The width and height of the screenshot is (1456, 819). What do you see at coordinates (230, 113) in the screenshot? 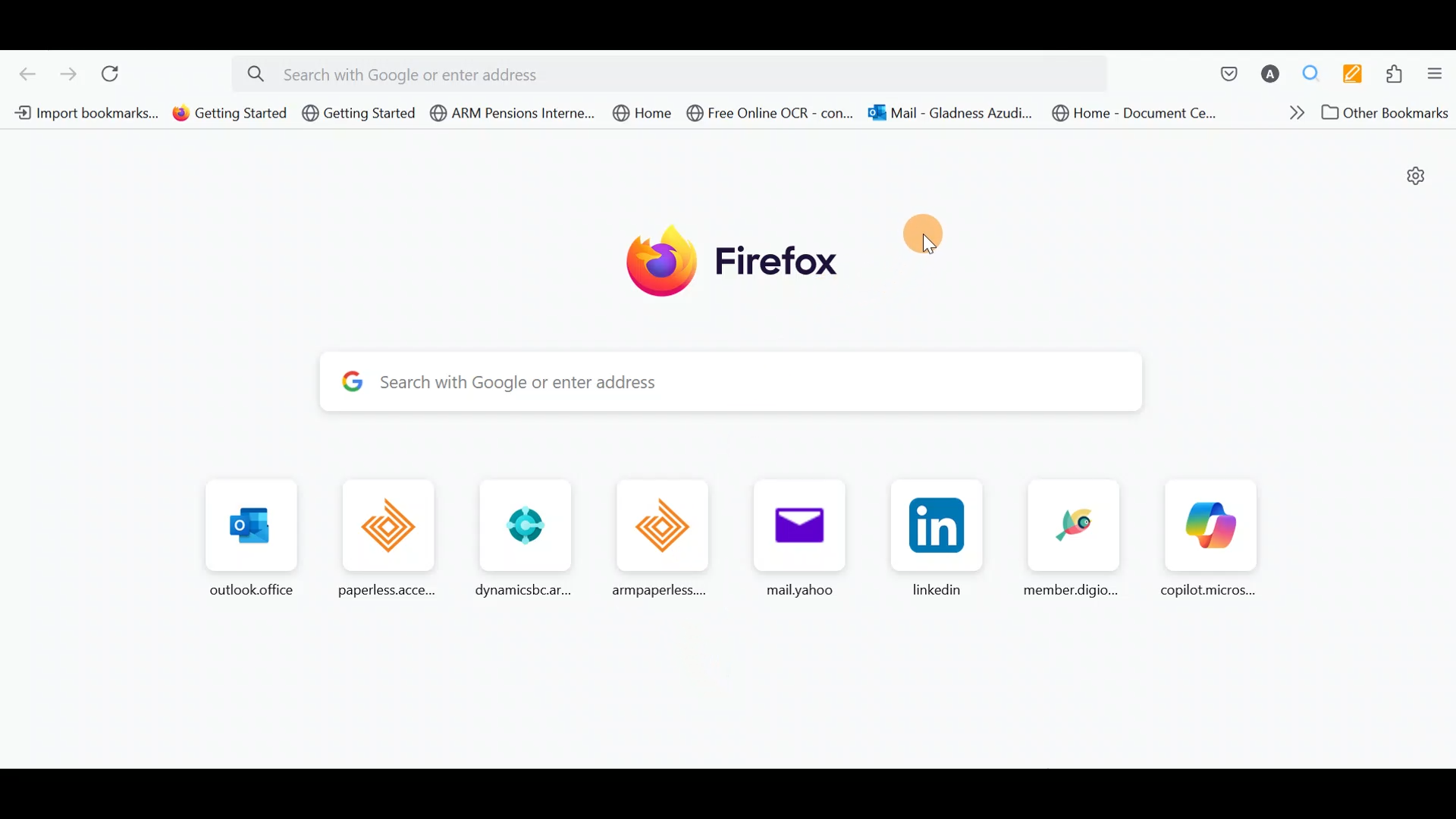
I see `Bookmark 2` at bounding box center [230, 113].